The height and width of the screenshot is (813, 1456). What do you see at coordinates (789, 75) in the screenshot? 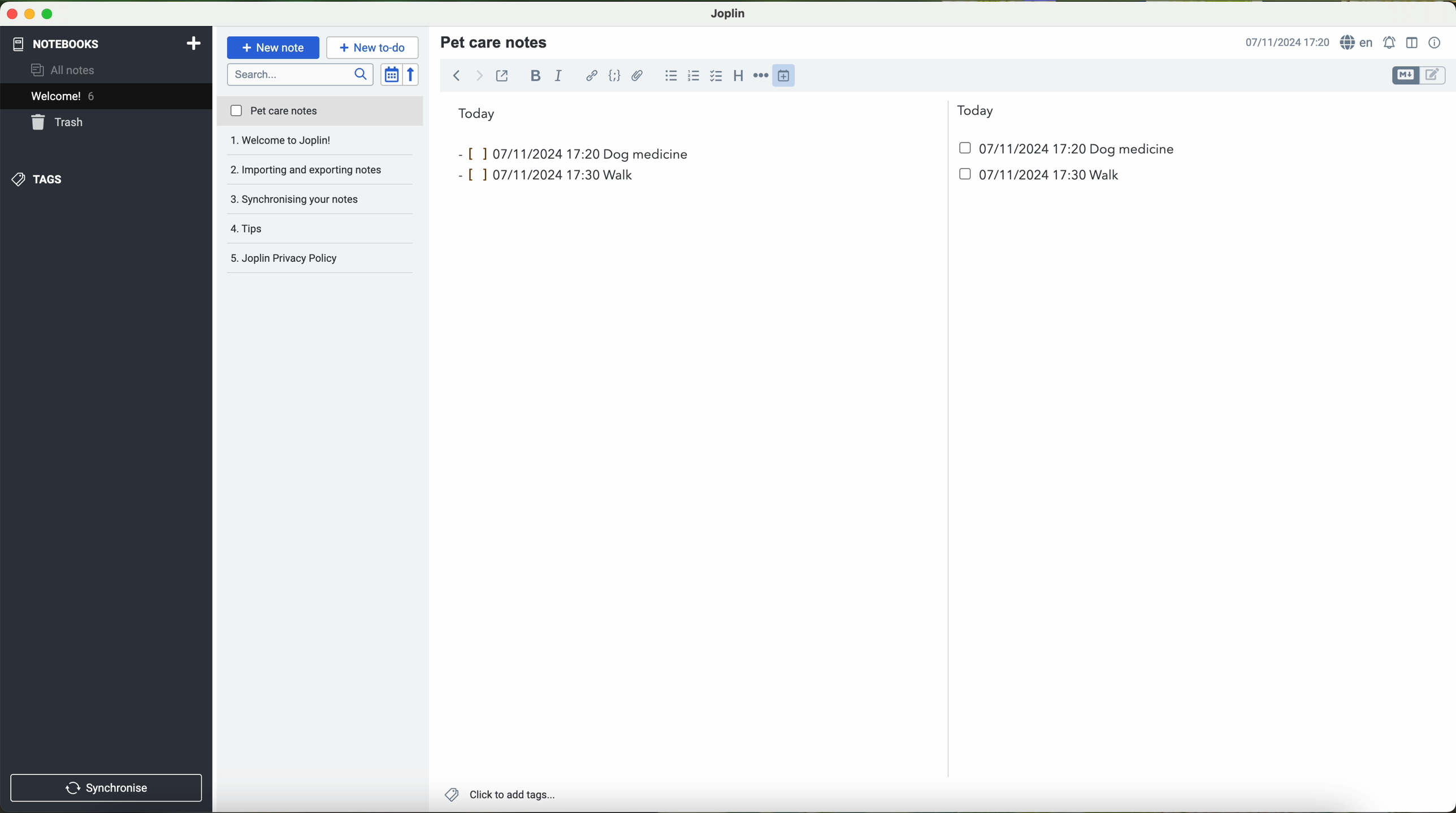
I see `insert time` at bounding box center [789, 75].